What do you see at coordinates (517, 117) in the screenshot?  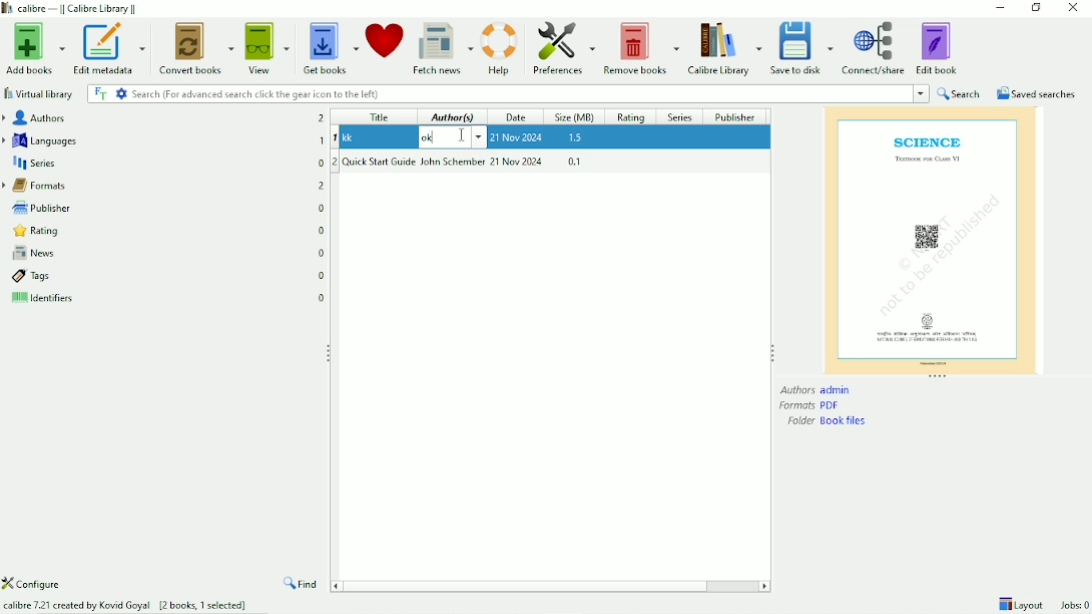 I see `Date` at bounding box center [517, 117].